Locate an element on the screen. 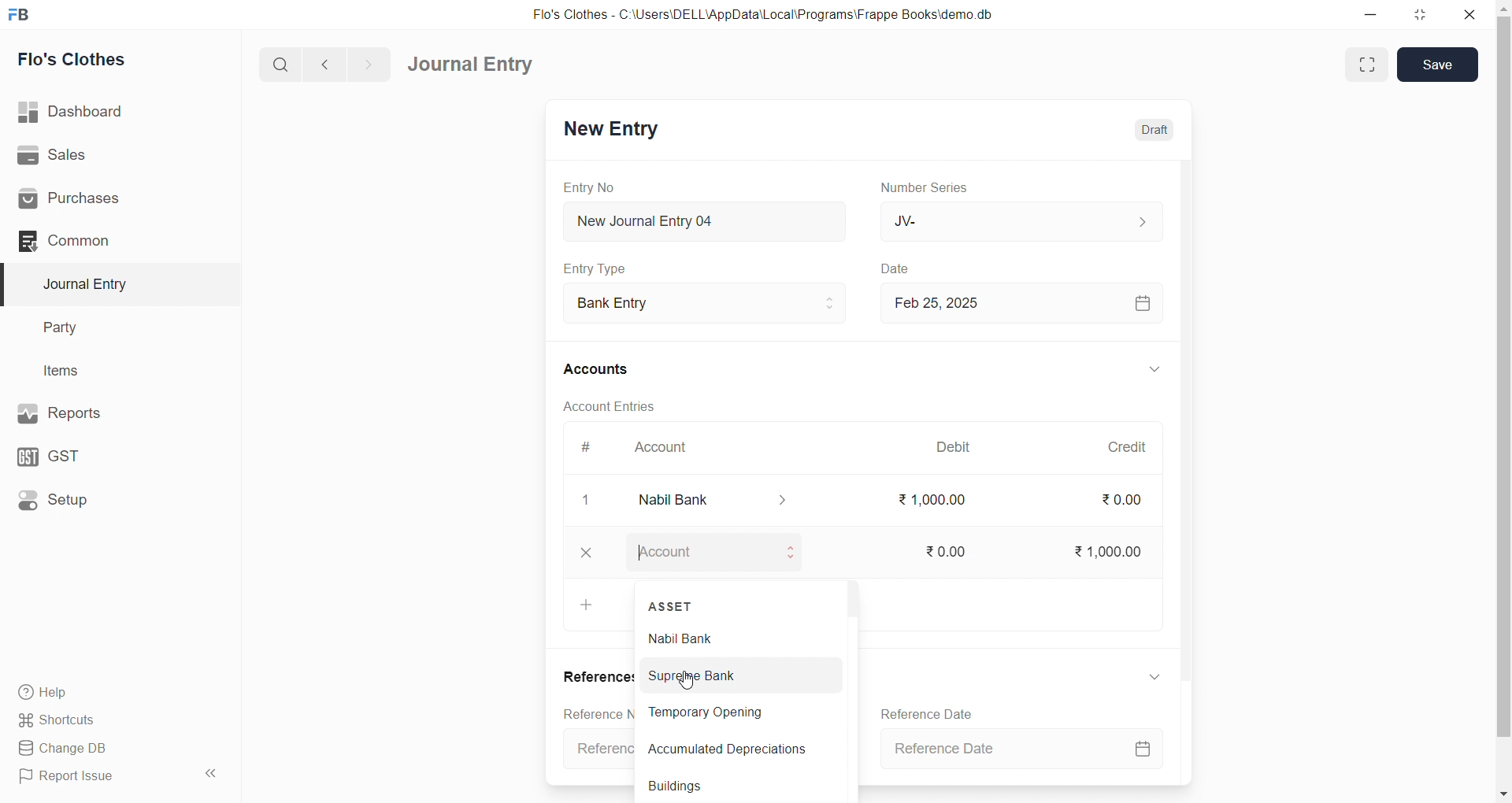 This screenshot has height=803, width=1512. search is located at coordinates (283, 63).